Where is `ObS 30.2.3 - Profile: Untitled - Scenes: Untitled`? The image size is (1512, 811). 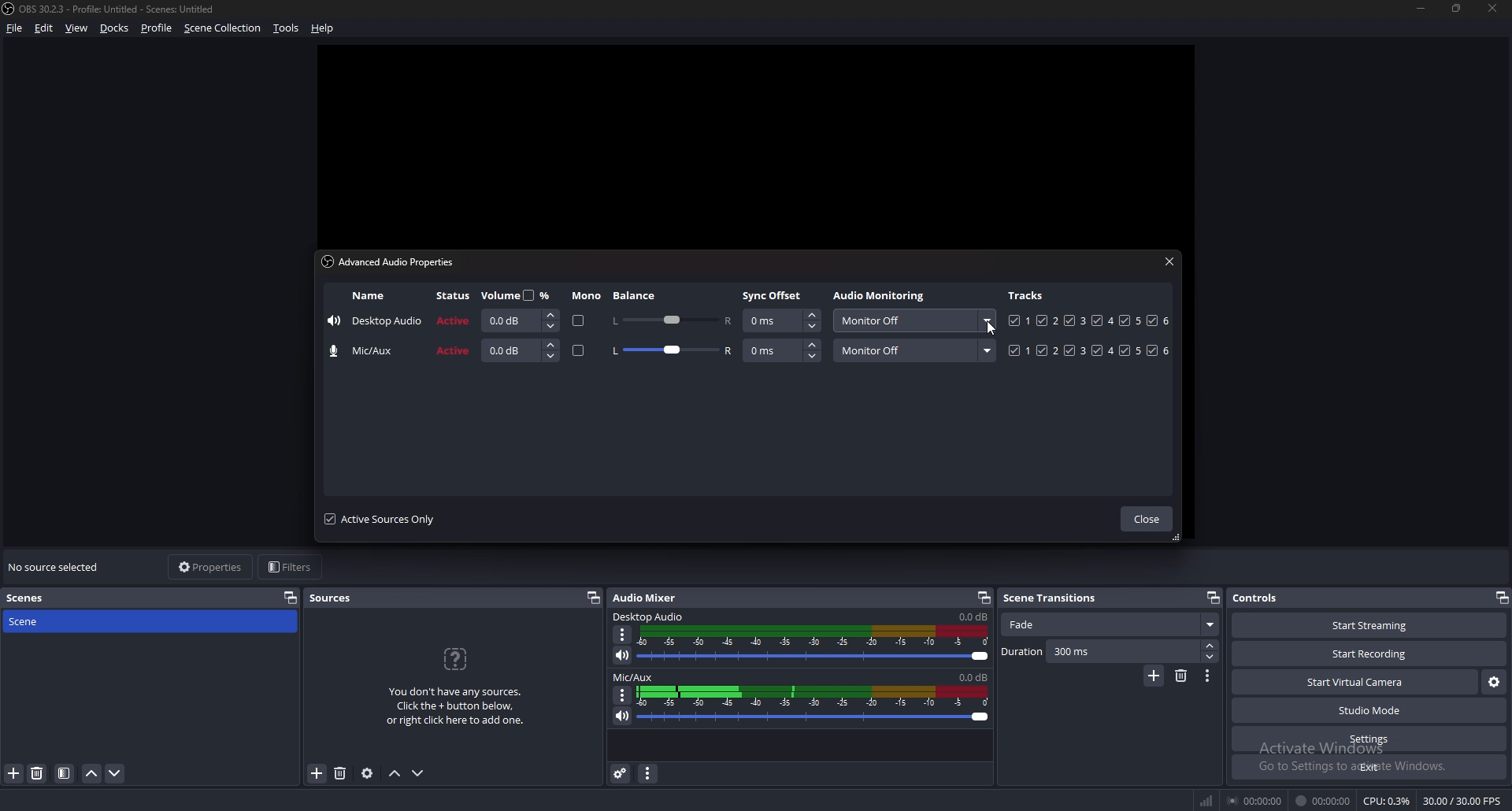 ObS 30.2.3 - Profile: Untitled - Scenes: Untitled is located at coordinates (124, 6).